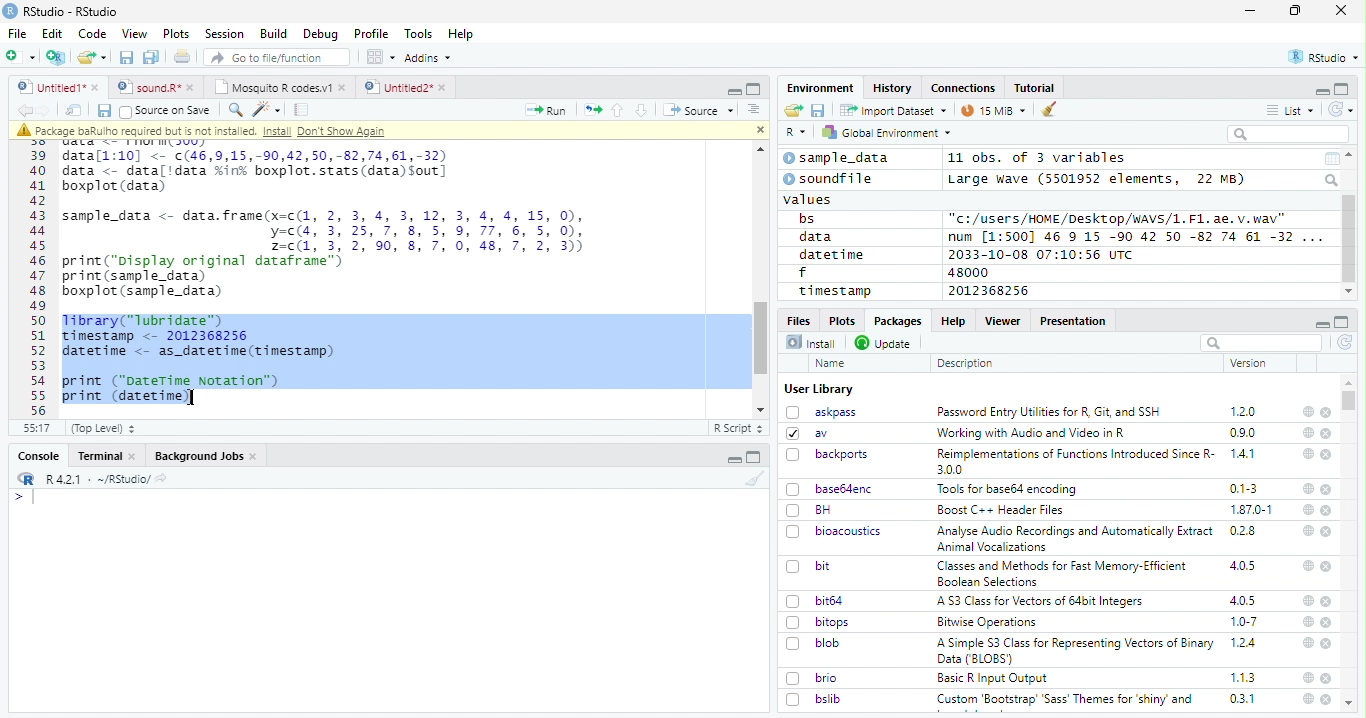  I want to click on askpass, so click(820, 412).